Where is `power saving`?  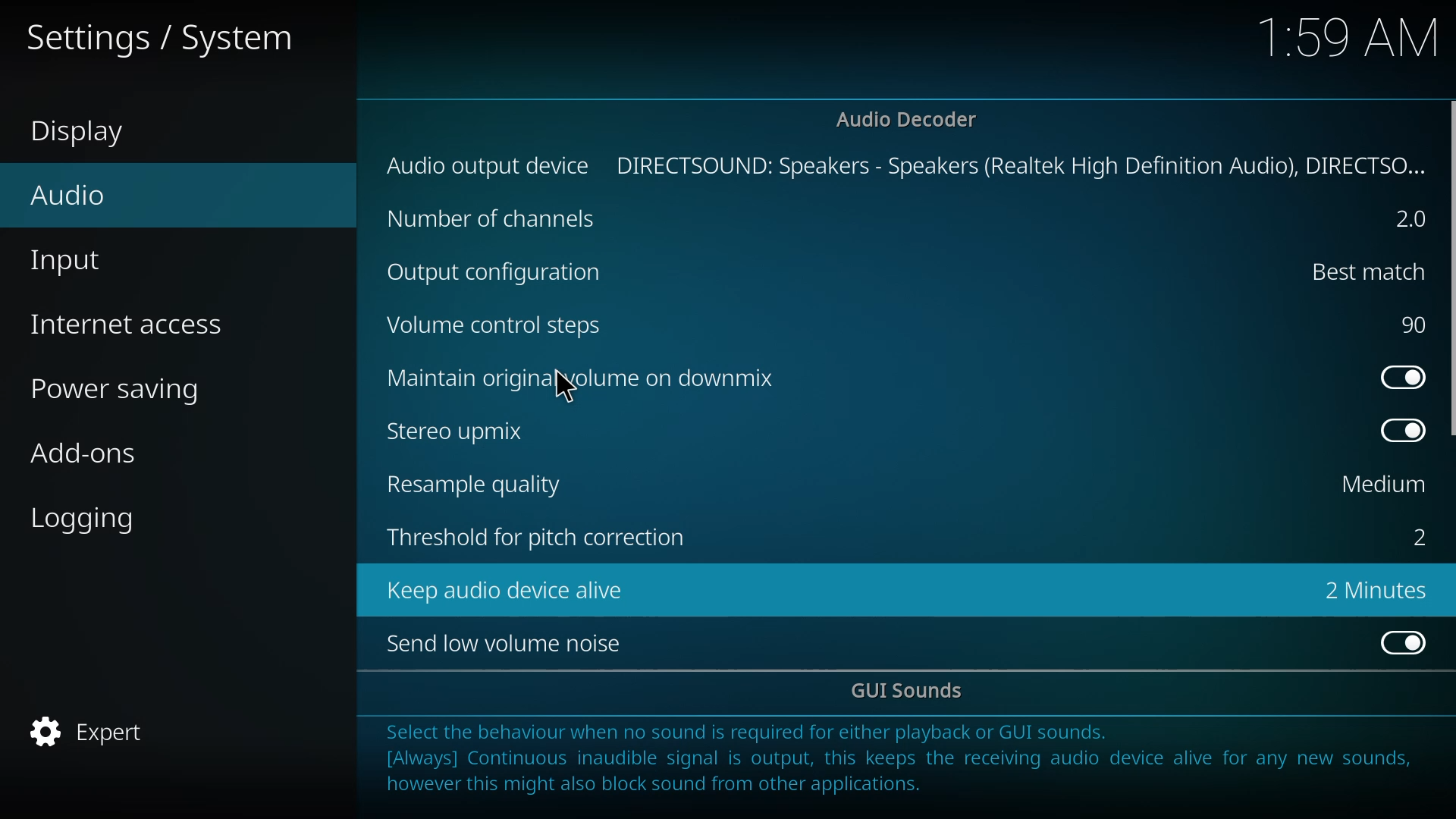
power saving is located at coordinates (125, 391).